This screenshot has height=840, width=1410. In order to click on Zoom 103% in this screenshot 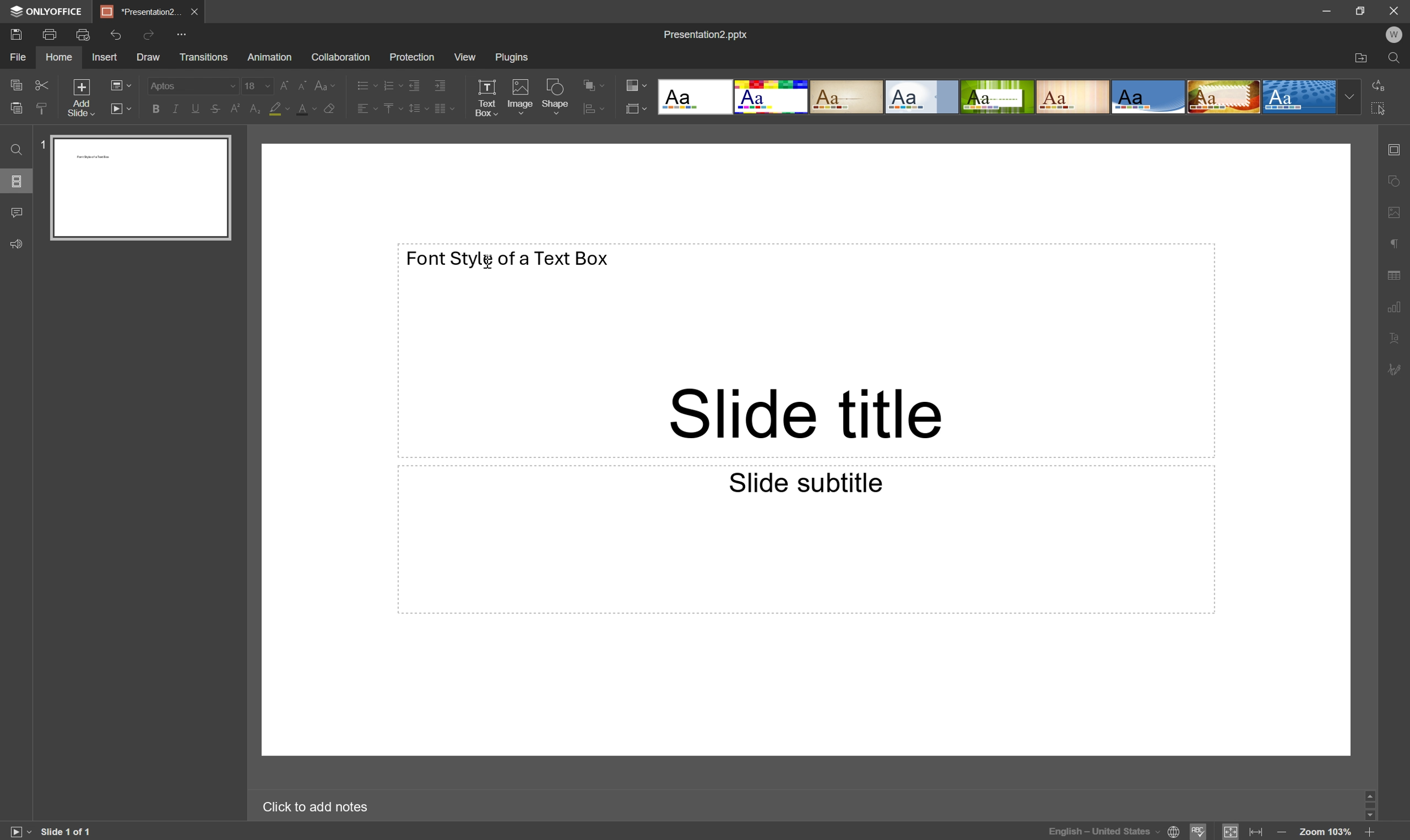, I will do `click(1328, 833)`.